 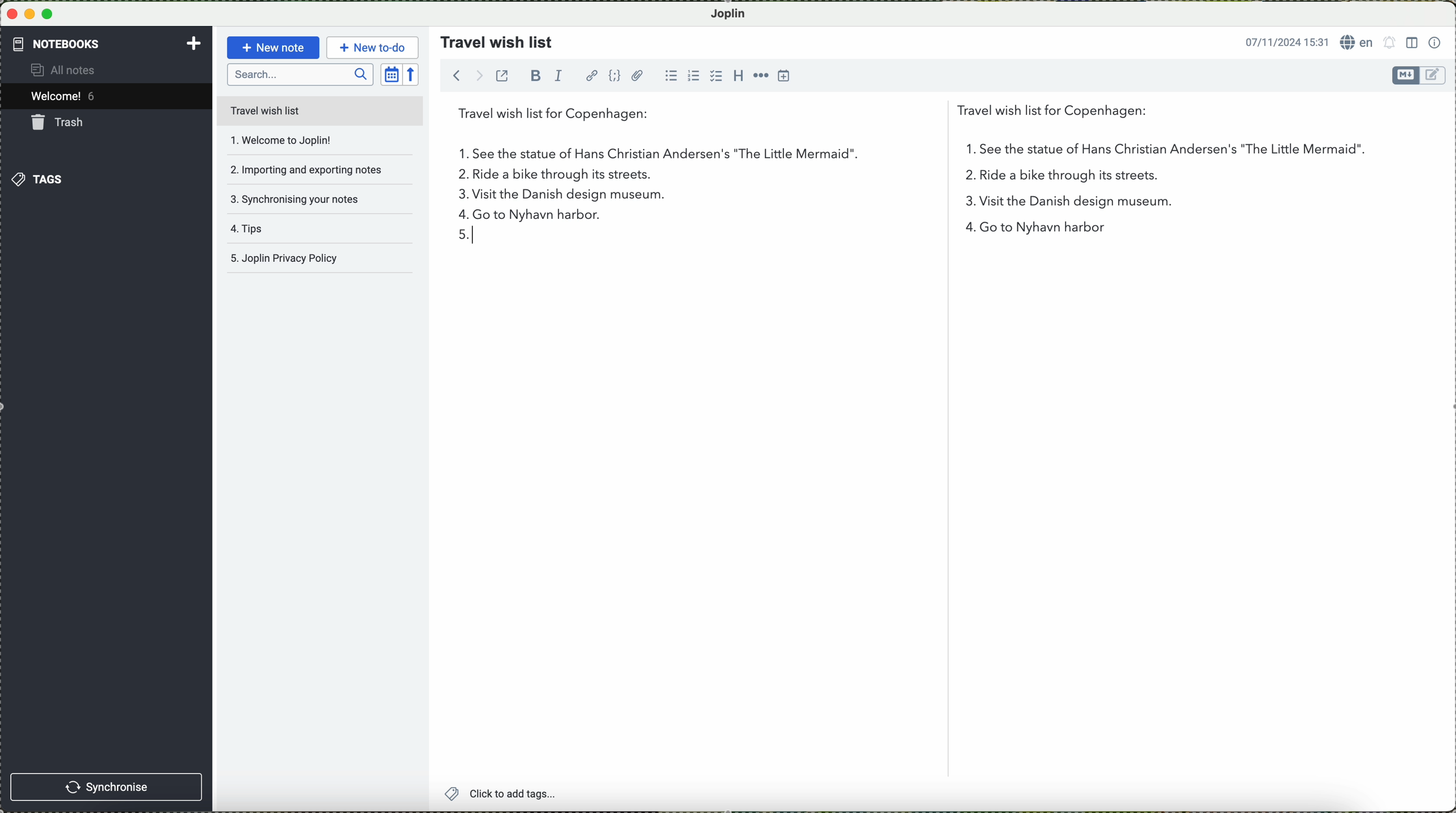 I want to click on travel wish list for Copenhagen:, so click(x=809, y=116).